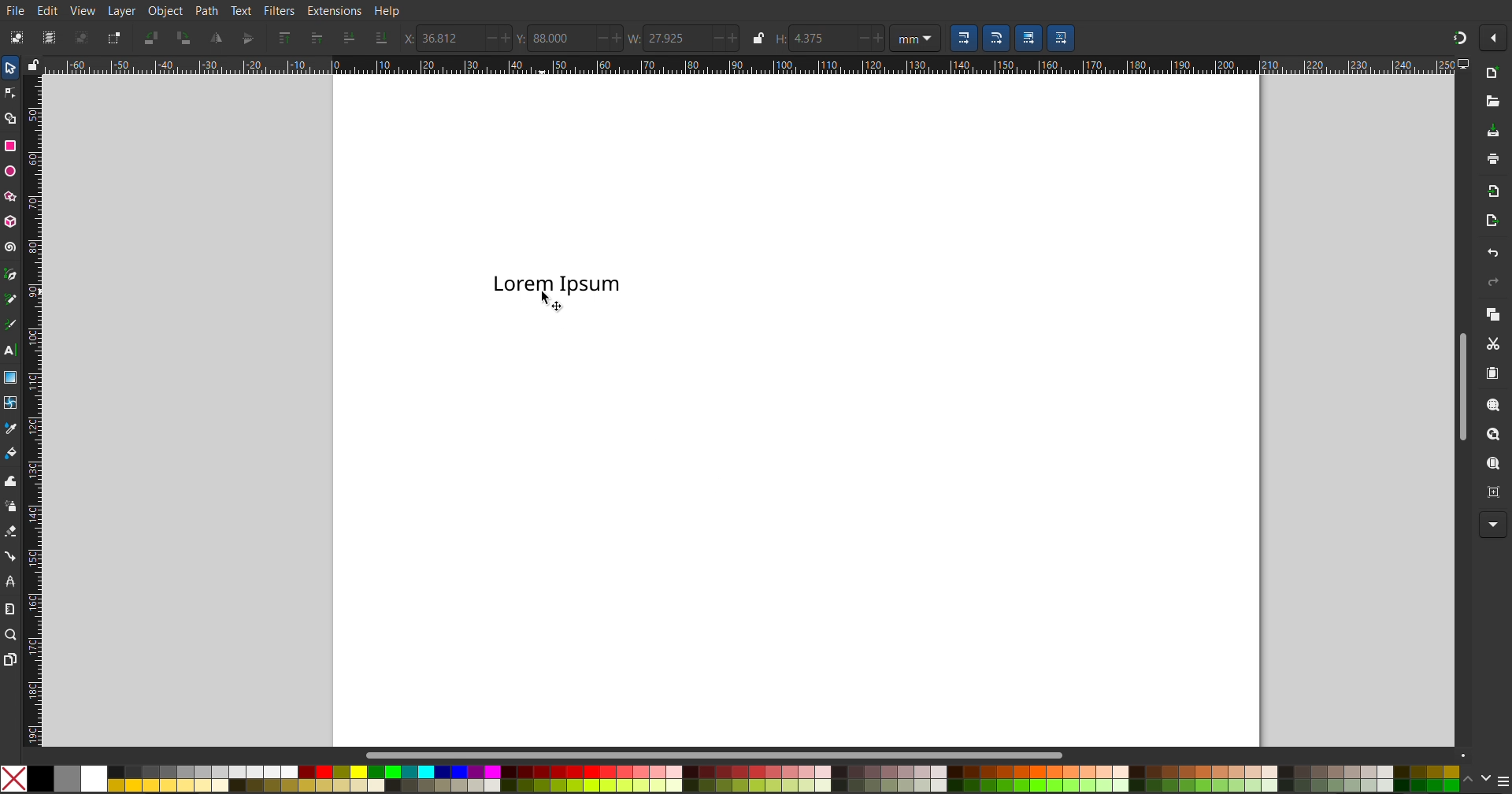  What do you see at coordinates (216, 38) in the screenshot?
I see `Flip Horizontal ` at bounding box center [216, 38].